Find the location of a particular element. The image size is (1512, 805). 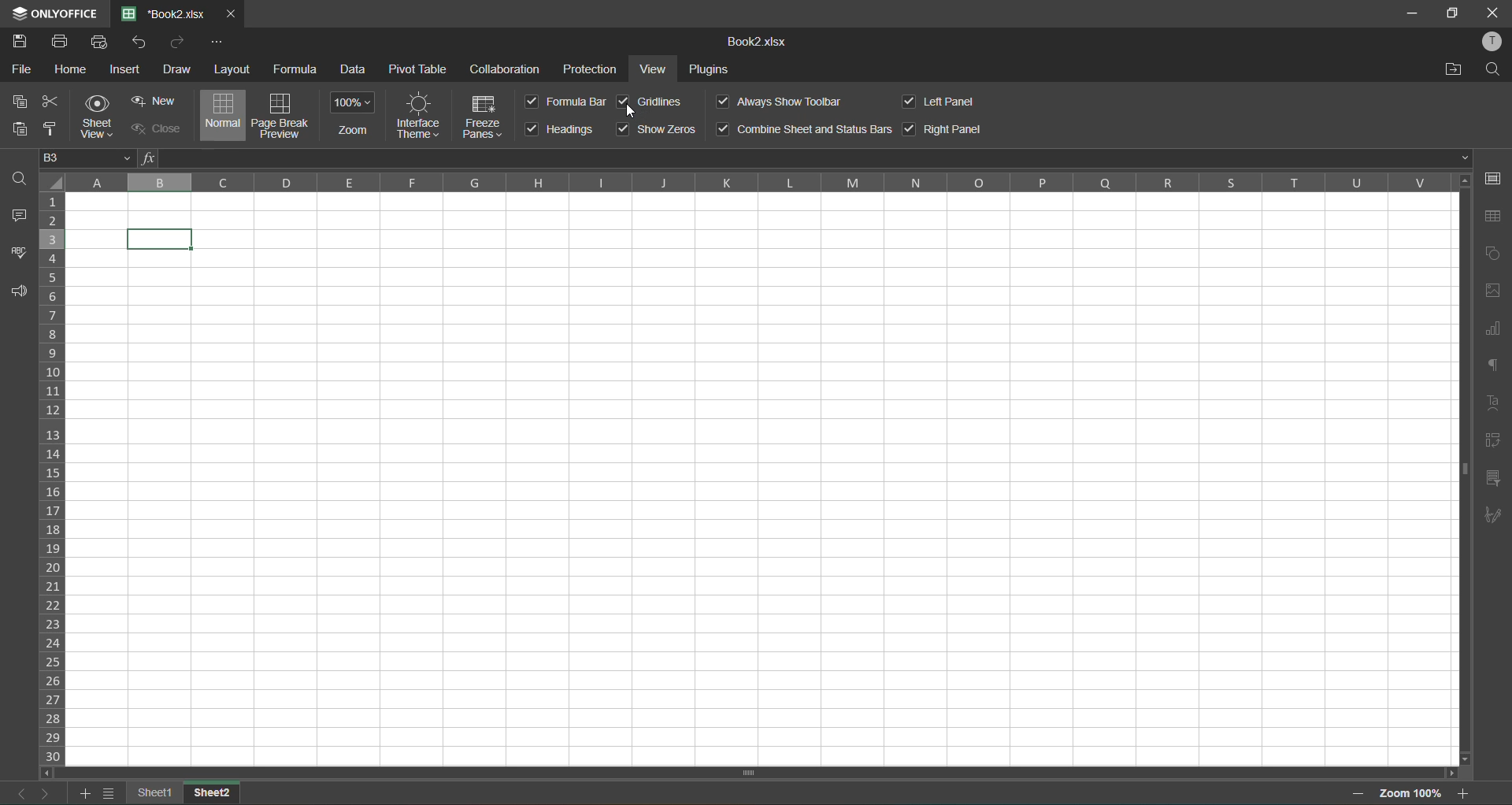

spellcheck is located at coordinates (16, 258).